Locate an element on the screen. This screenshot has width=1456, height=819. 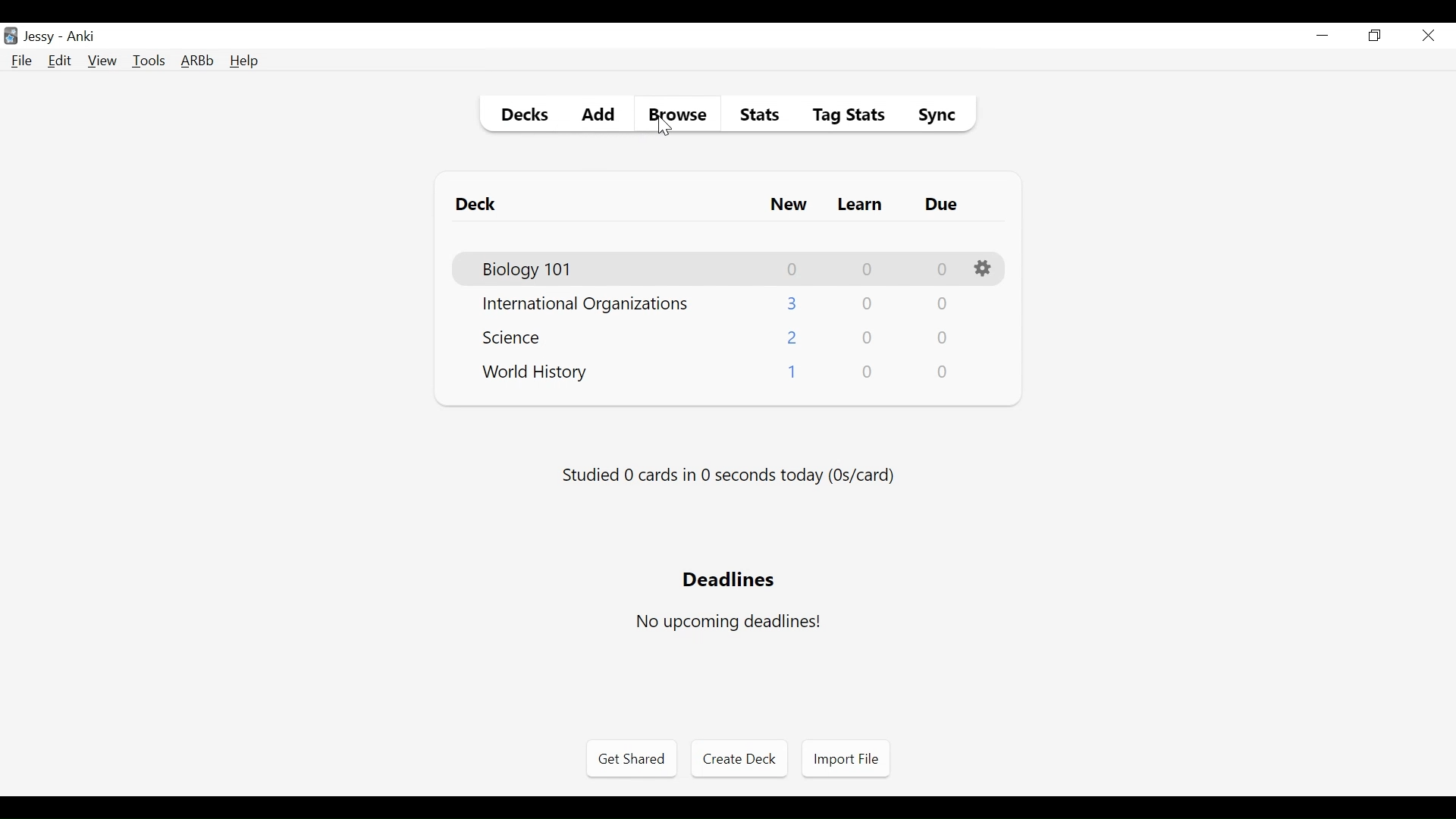
Help is located at coordinates (243, 62).